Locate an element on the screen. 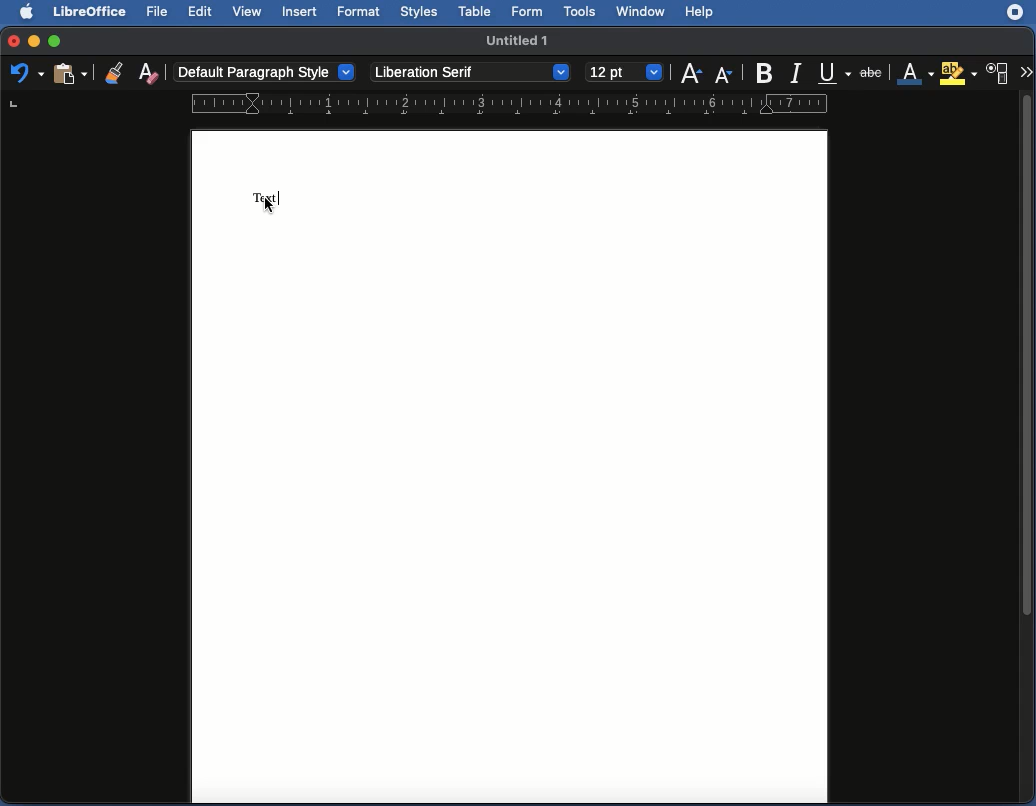 Image resolution: width=1036 pixels, height=806 pixels. Window is located at coordinates (639, 13).